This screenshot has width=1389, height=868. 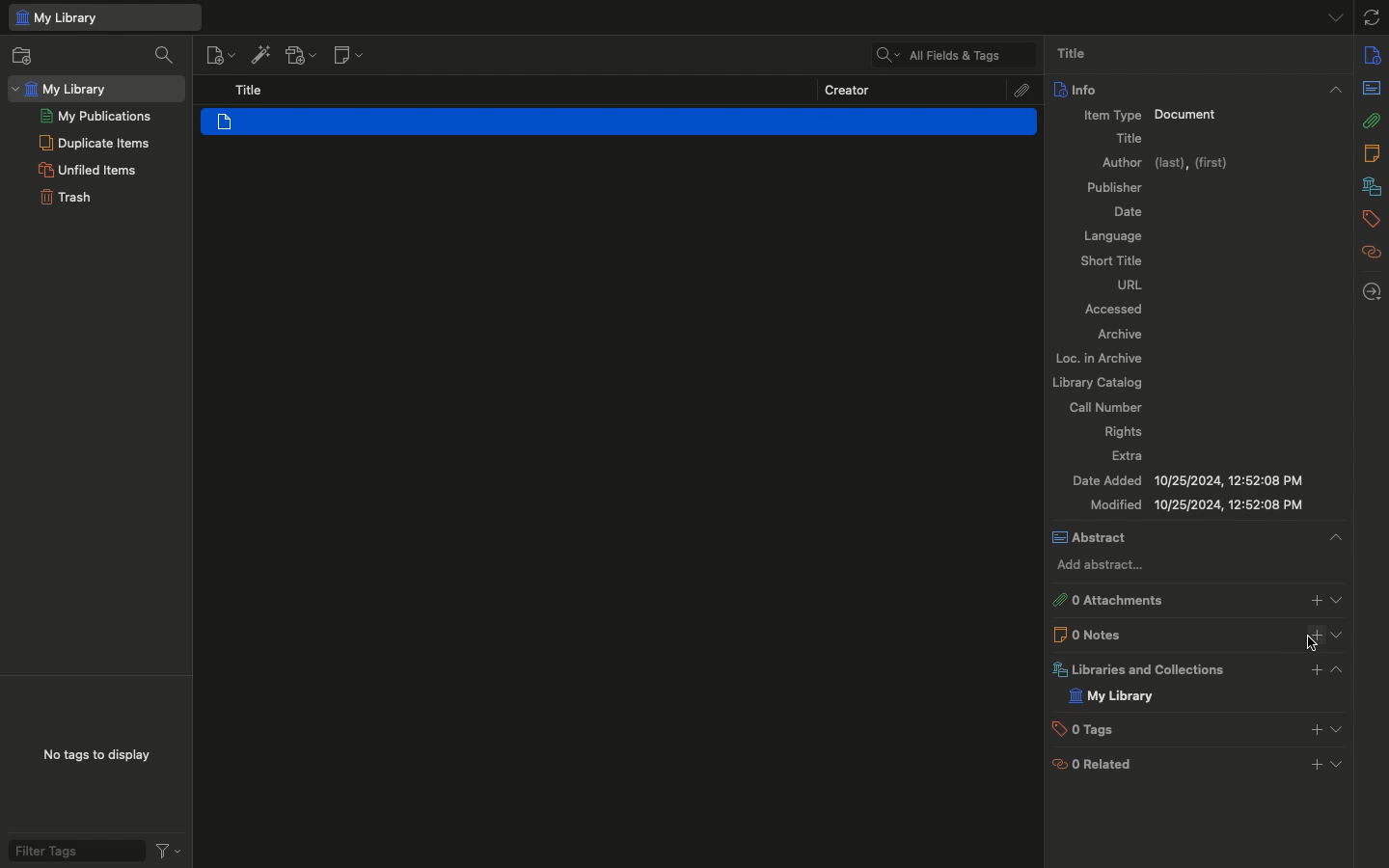 I want to click on aCESSED, so click(x=1110, y=309).